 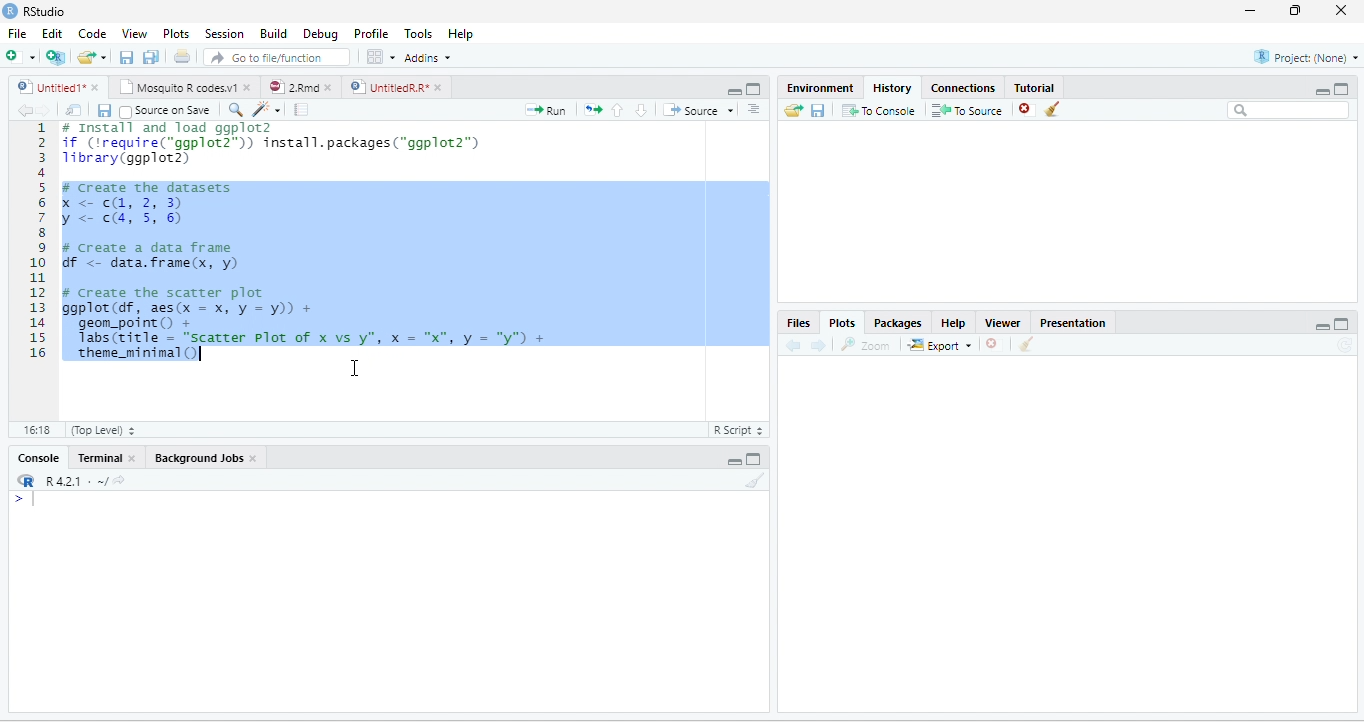 I want to click on Background Jobs, so click(x=197, y=459).